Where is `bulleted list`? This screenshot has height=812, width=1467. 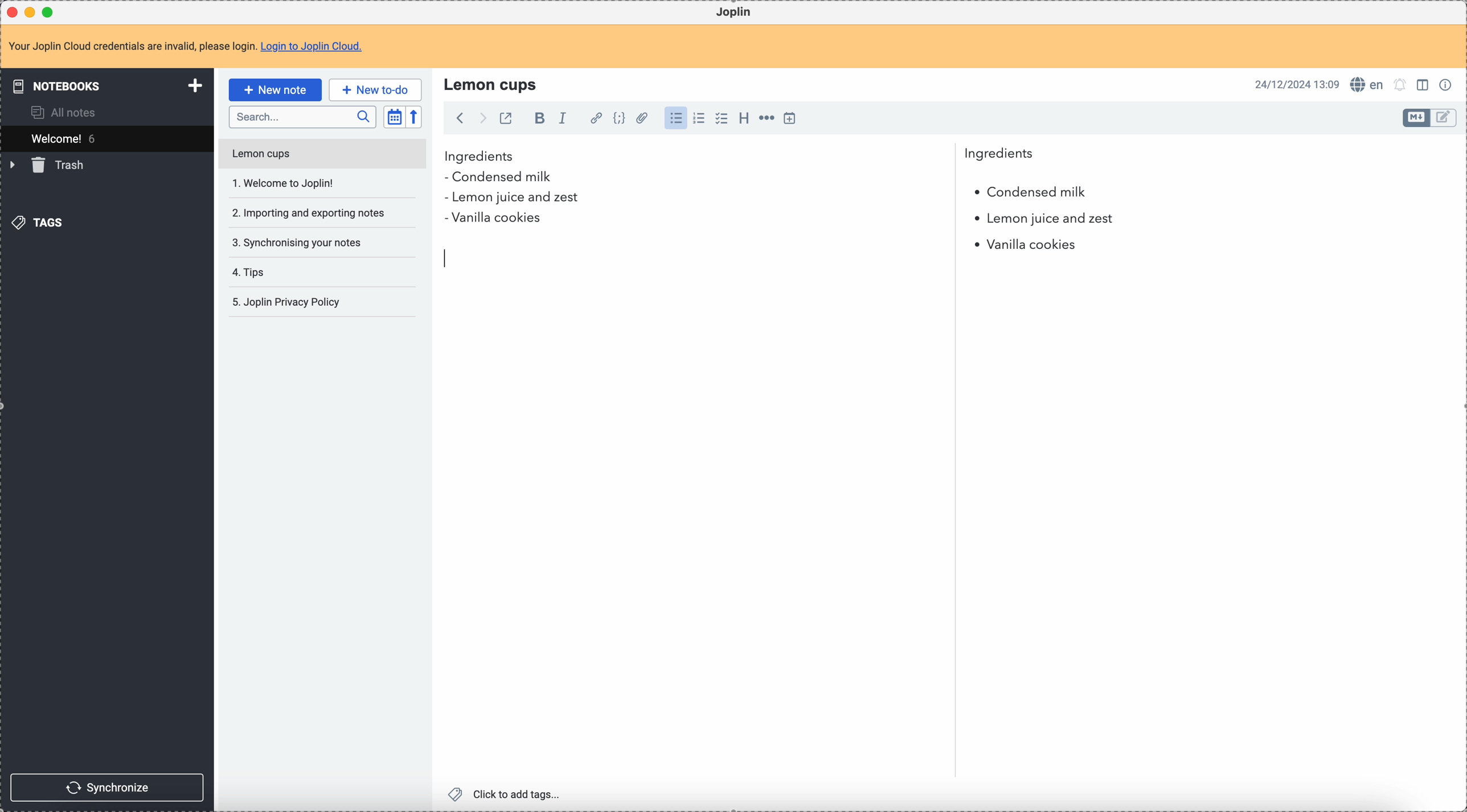
bulleted list is located at coordinates (674, 118).